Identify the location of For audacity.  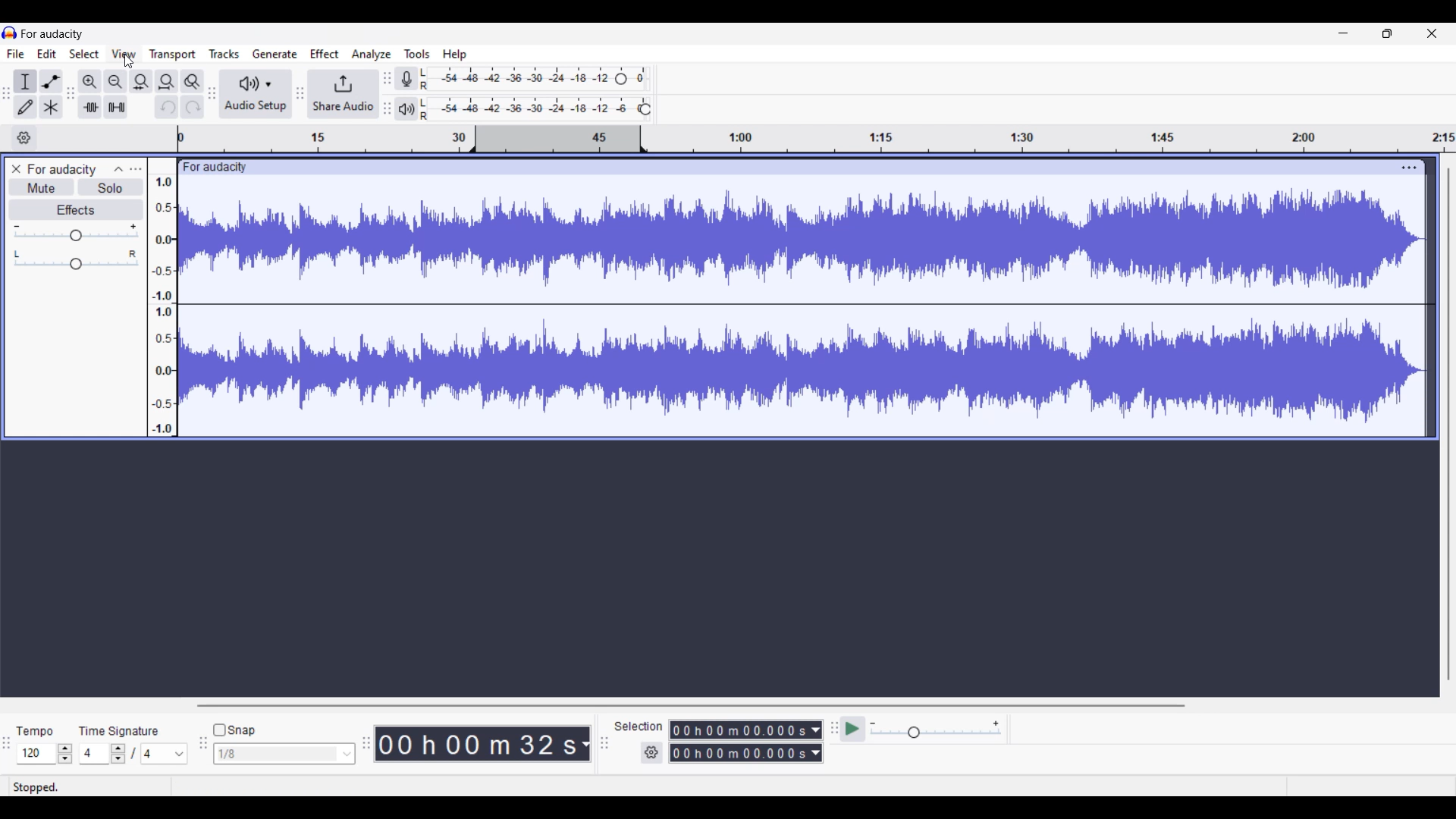
(61, 169).